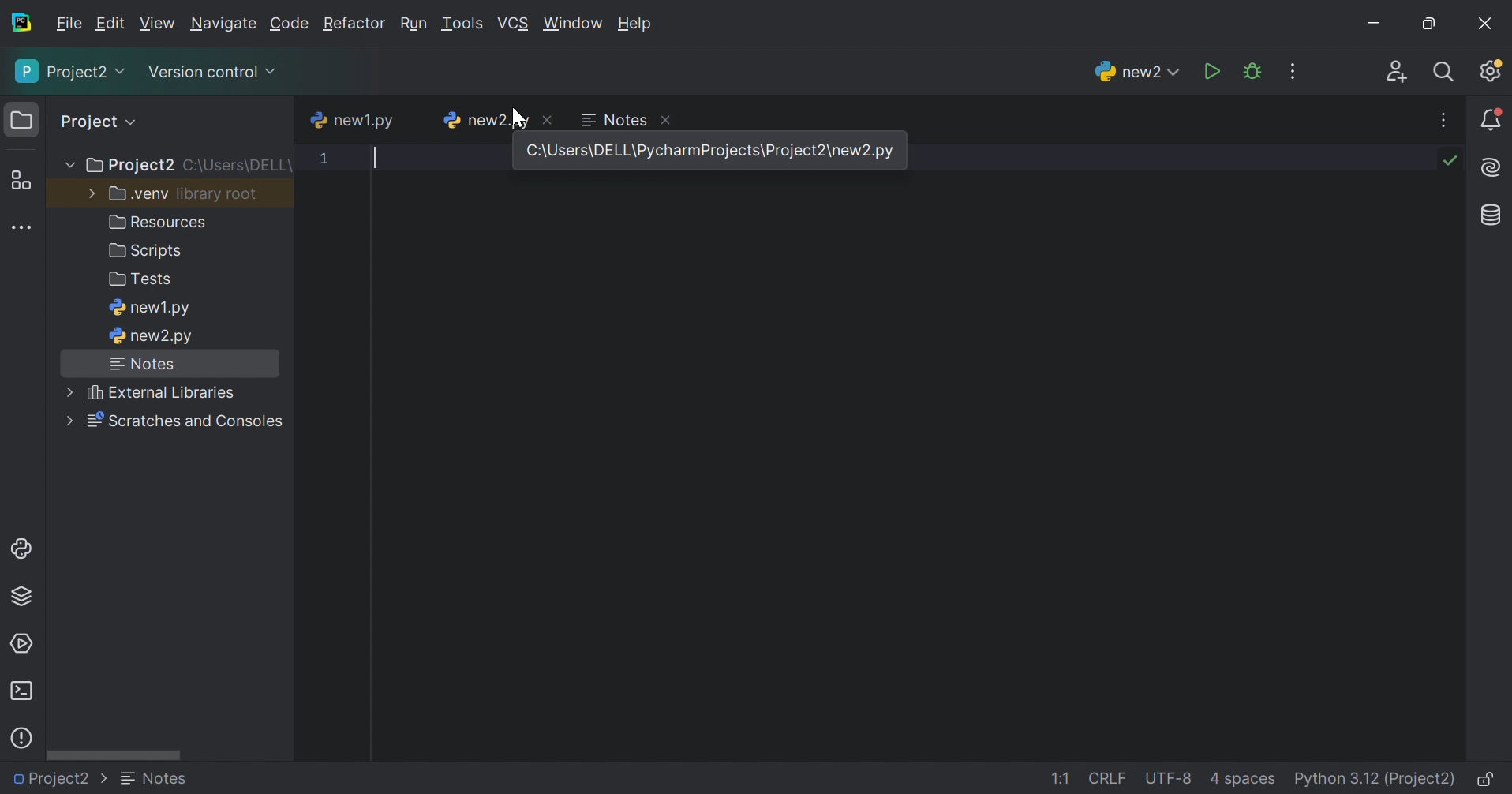 This screenshot has height=794, width=1512. Describe the element at coordinates (1492, 119) in the screenshot. I see `Notifications` at that location.